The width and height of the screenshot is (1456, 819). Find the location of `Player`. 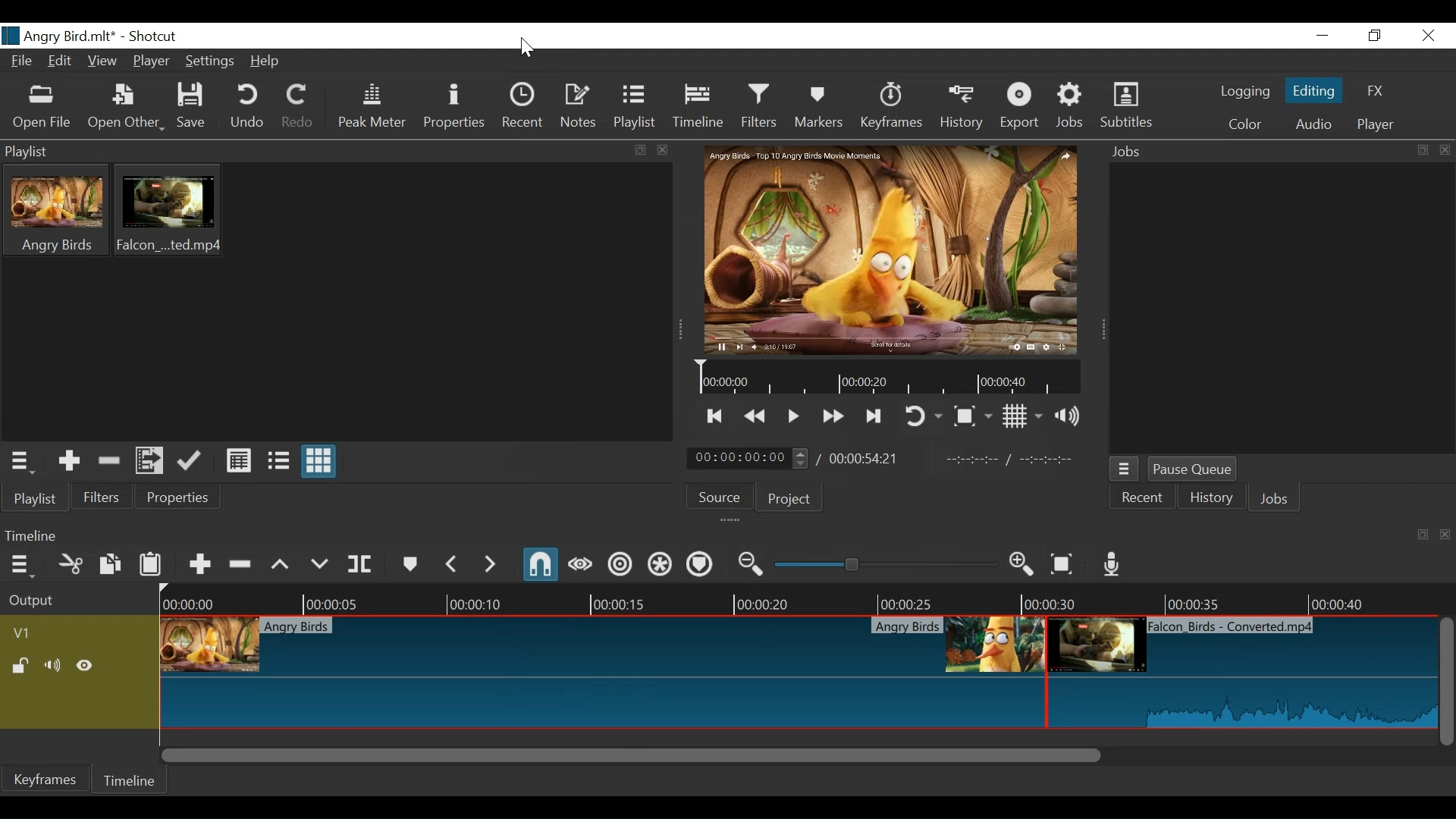

Player is located at coordinates (1378, 124).